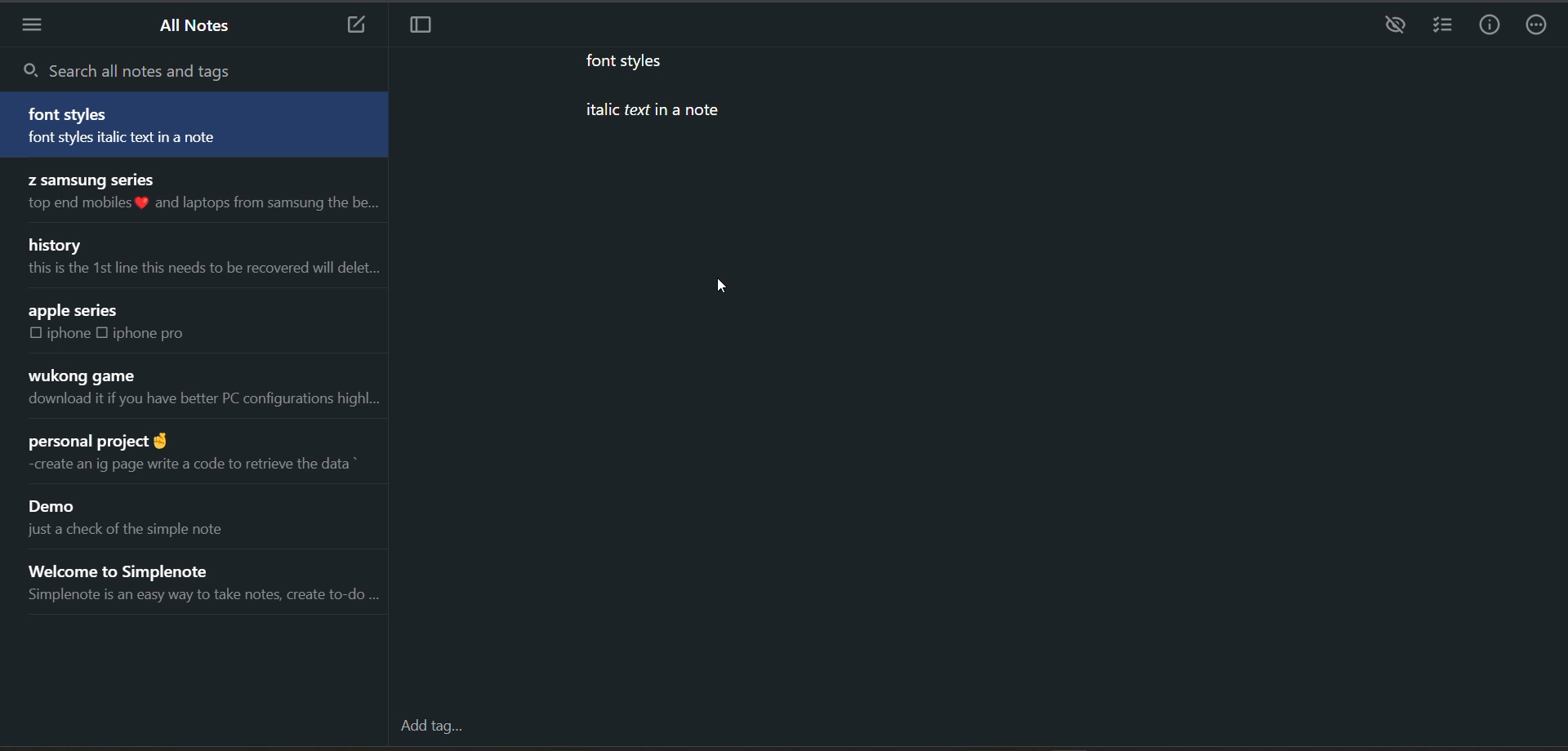  I want to click on actions, so click(1541, 23).